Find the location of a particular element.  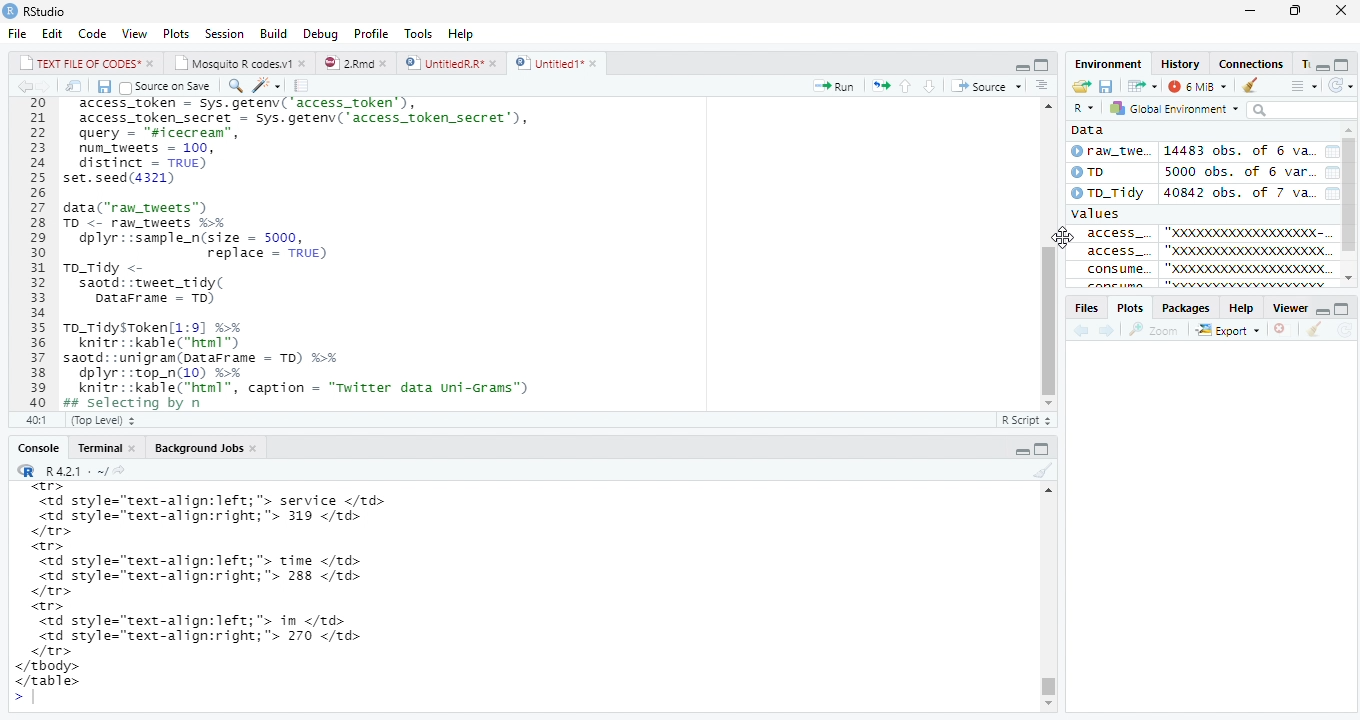

History is located at coordinates (1179, 62).